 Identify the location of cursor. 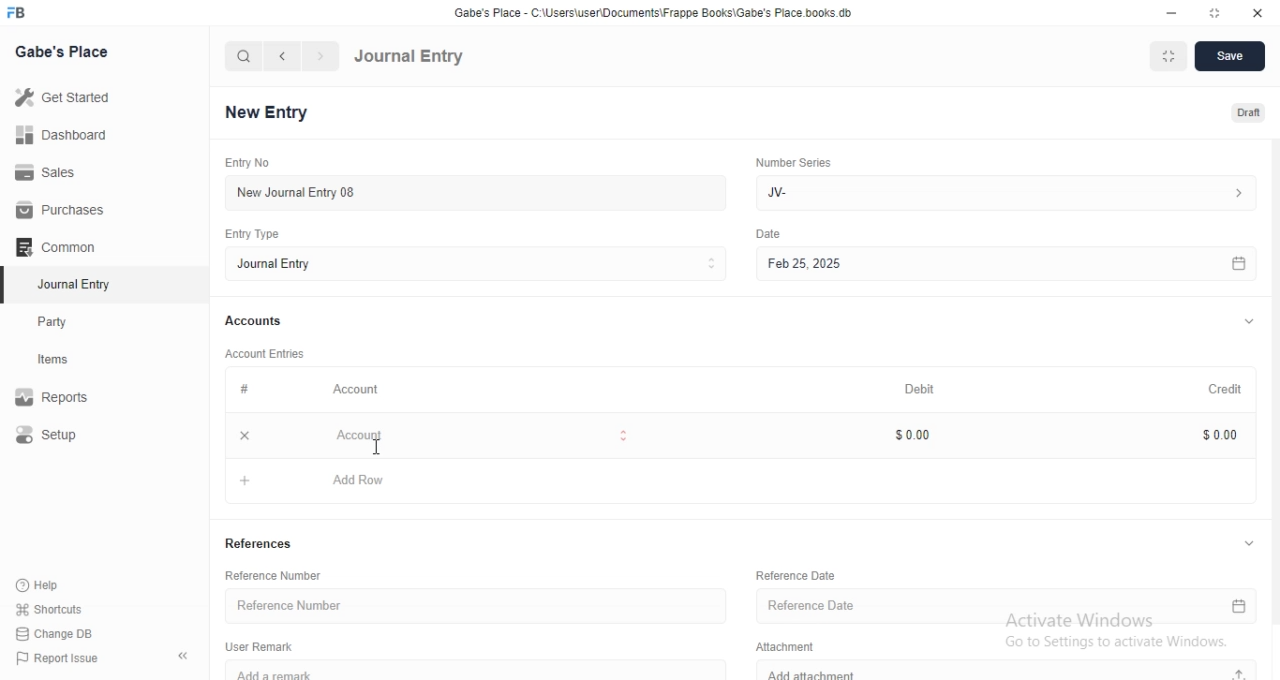
(378, 445).